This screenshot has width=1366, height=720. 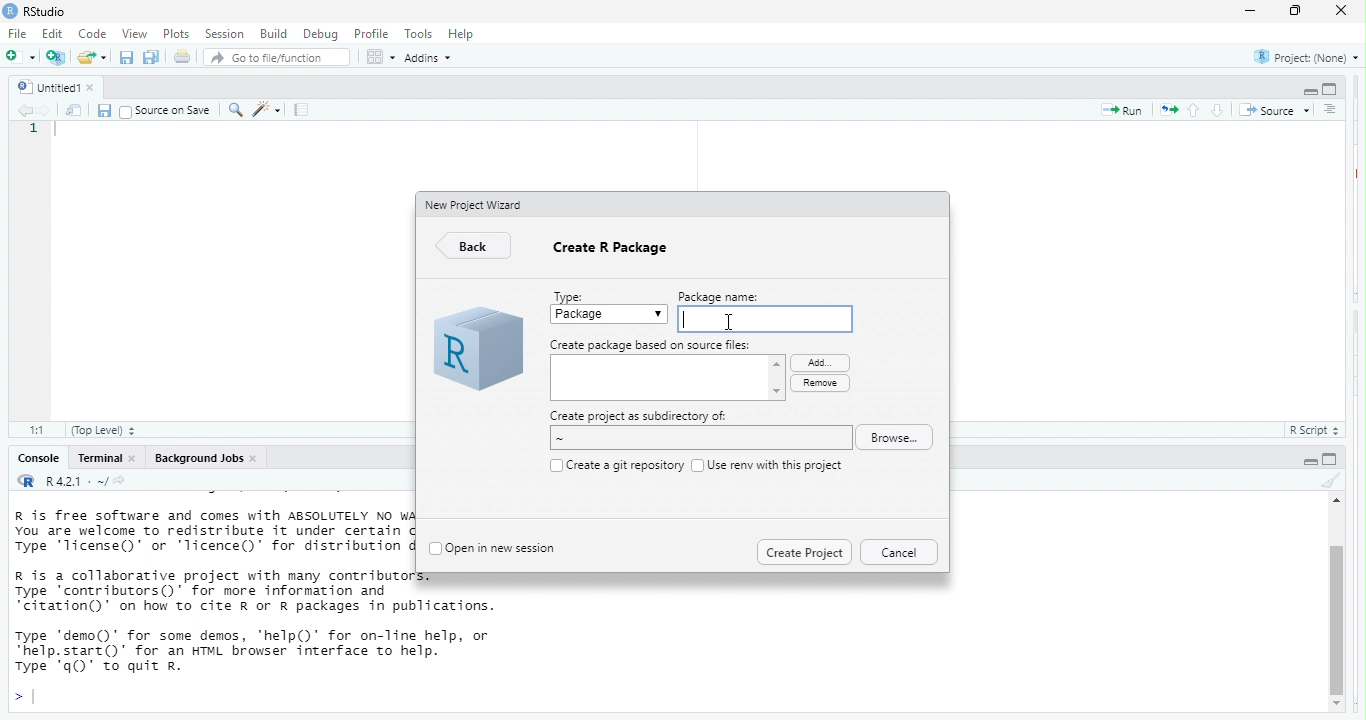 What do you see at coordinates (94, 35) in the screenshot?
I see `code` at bounding box center [94, 35].